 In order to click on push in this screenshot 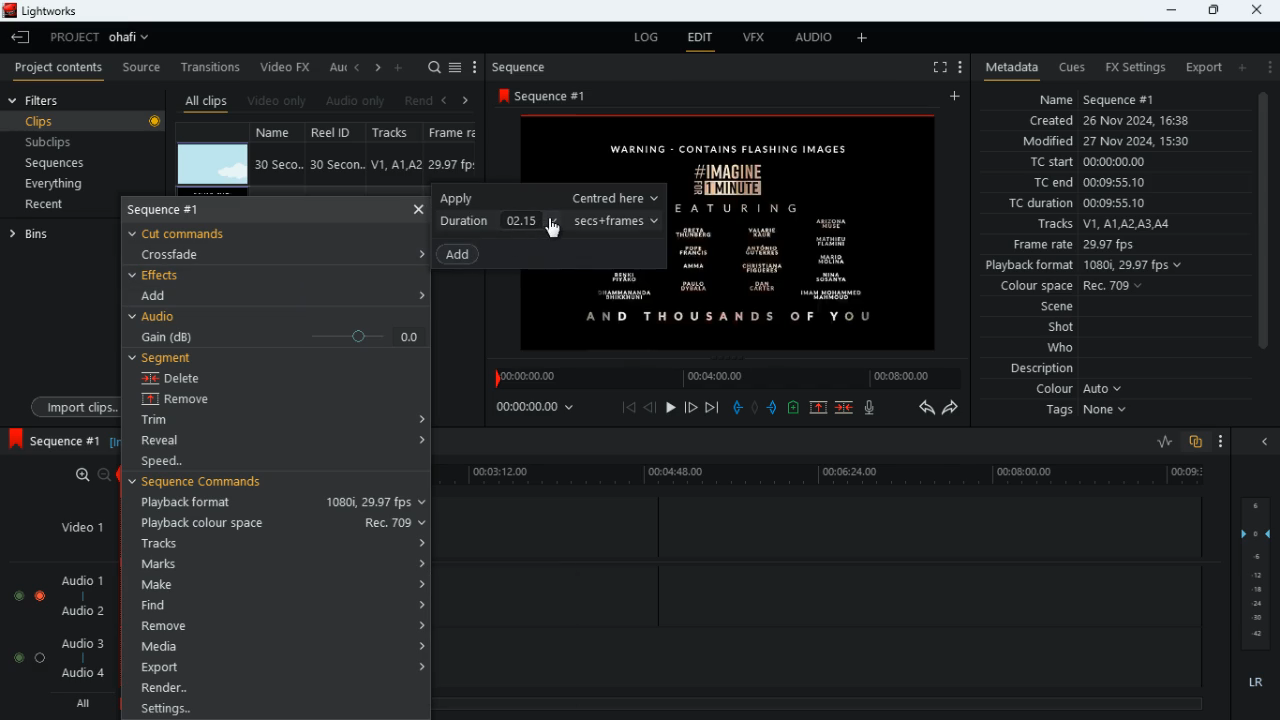, I will do `click(775, 409)`.